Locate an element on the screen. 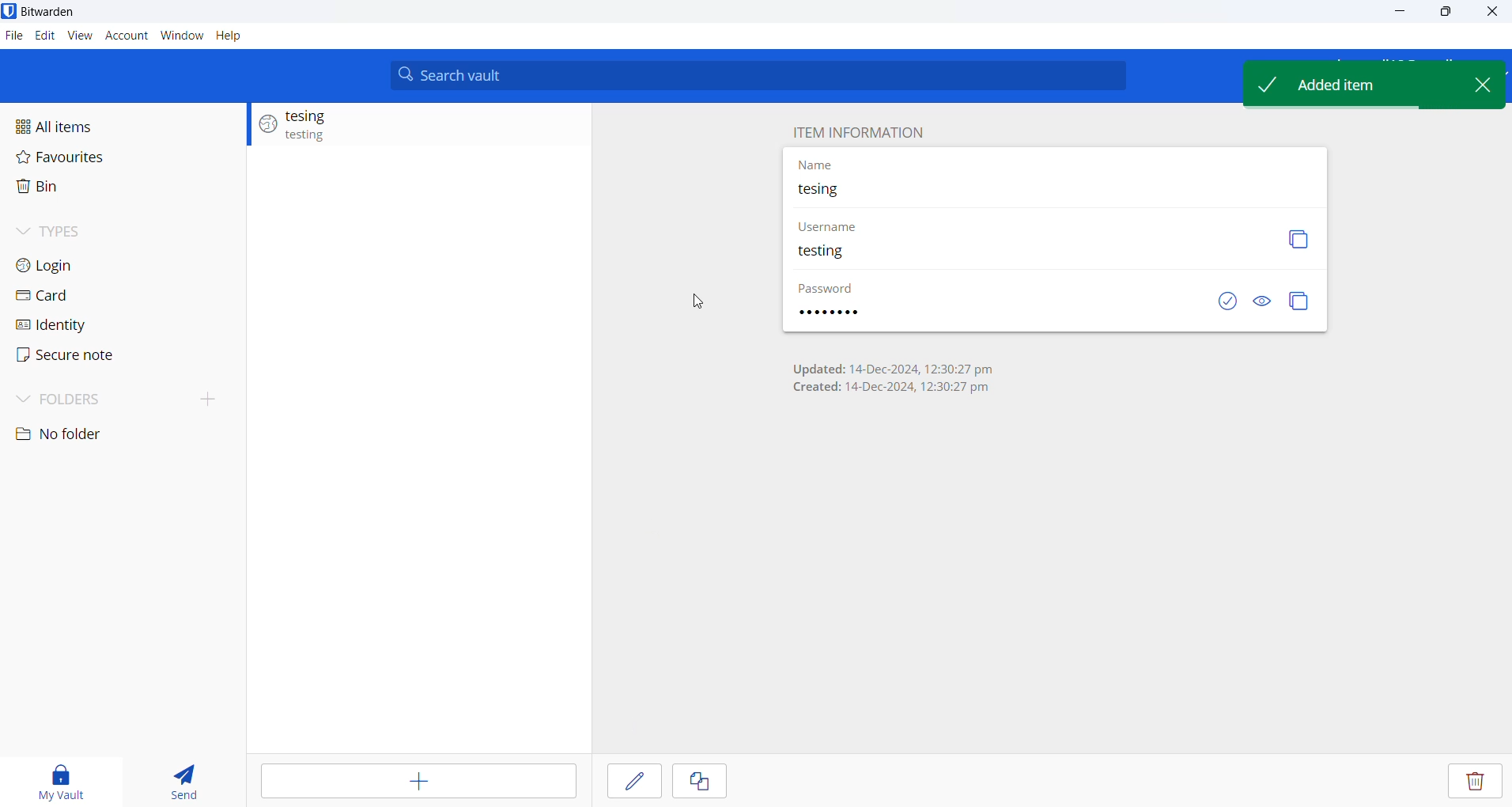 This screenshot has width=1512, height=807. CHECK IF PASSWORD IS EXPOSED OR NOT is located at coordinates (1213, 303).